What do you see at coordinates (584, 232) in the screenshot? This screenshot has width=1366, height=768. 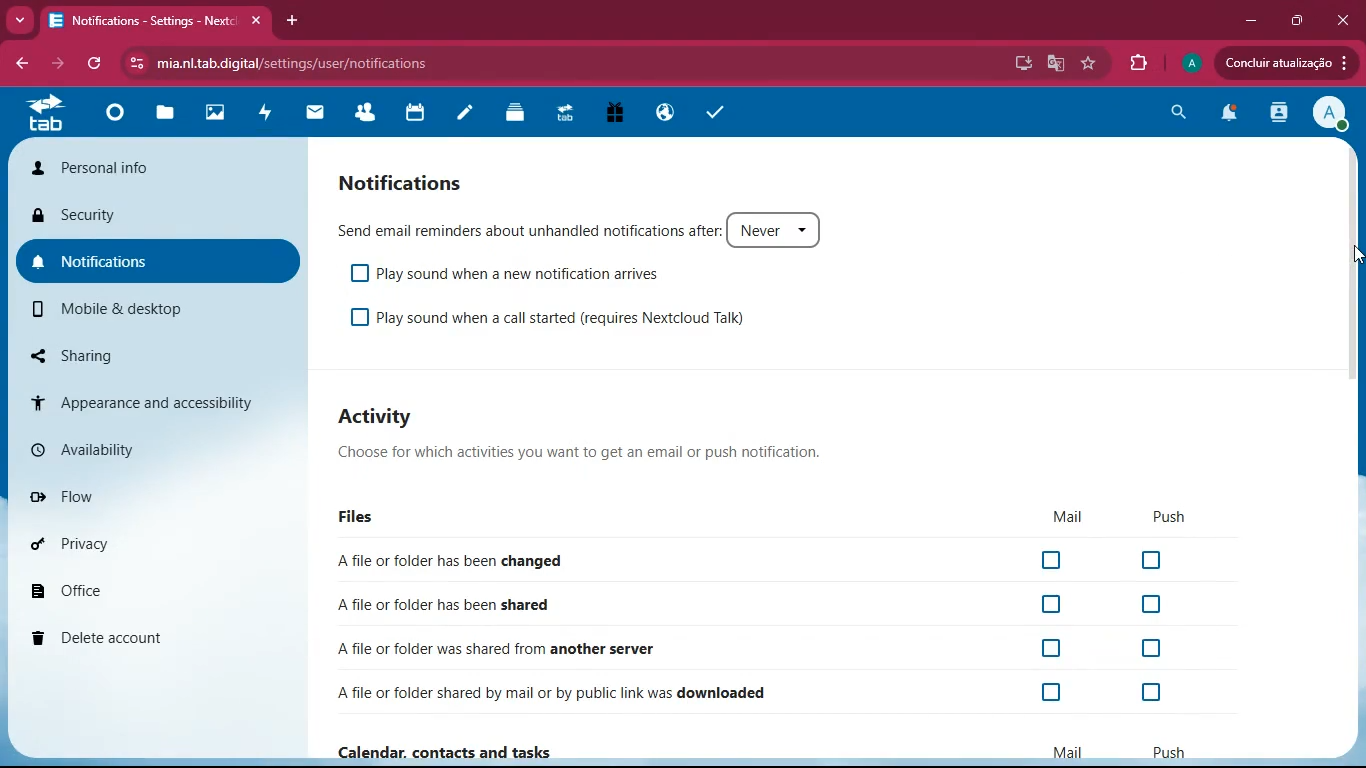 I see `Send email reminders` at bounding box center [584, 232].